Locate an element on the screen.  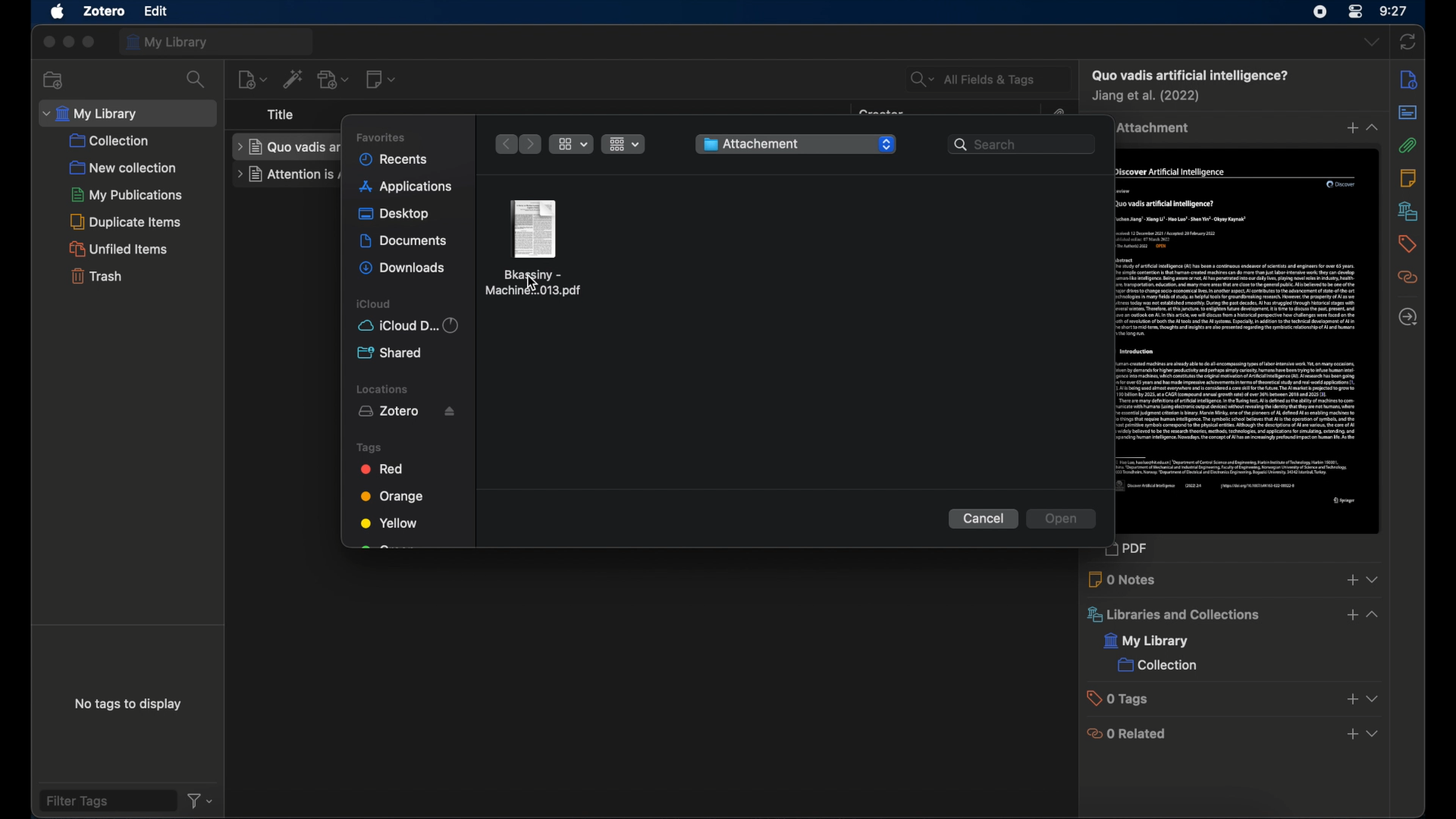
applications is located at coordinates (406, 187).